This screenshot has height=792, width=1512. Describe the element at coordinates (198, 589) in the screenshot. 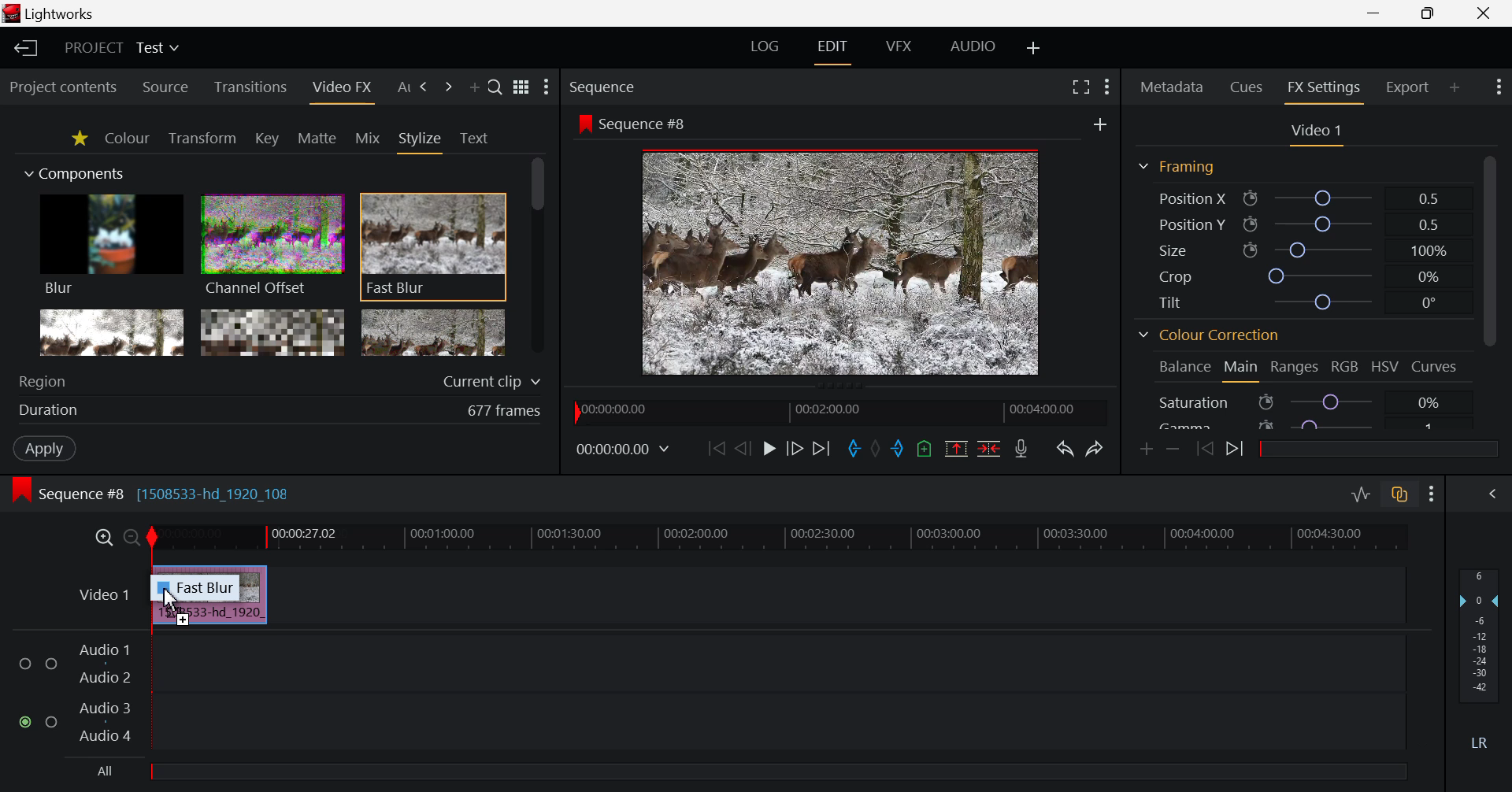

I see `Fast Blur` at that location.